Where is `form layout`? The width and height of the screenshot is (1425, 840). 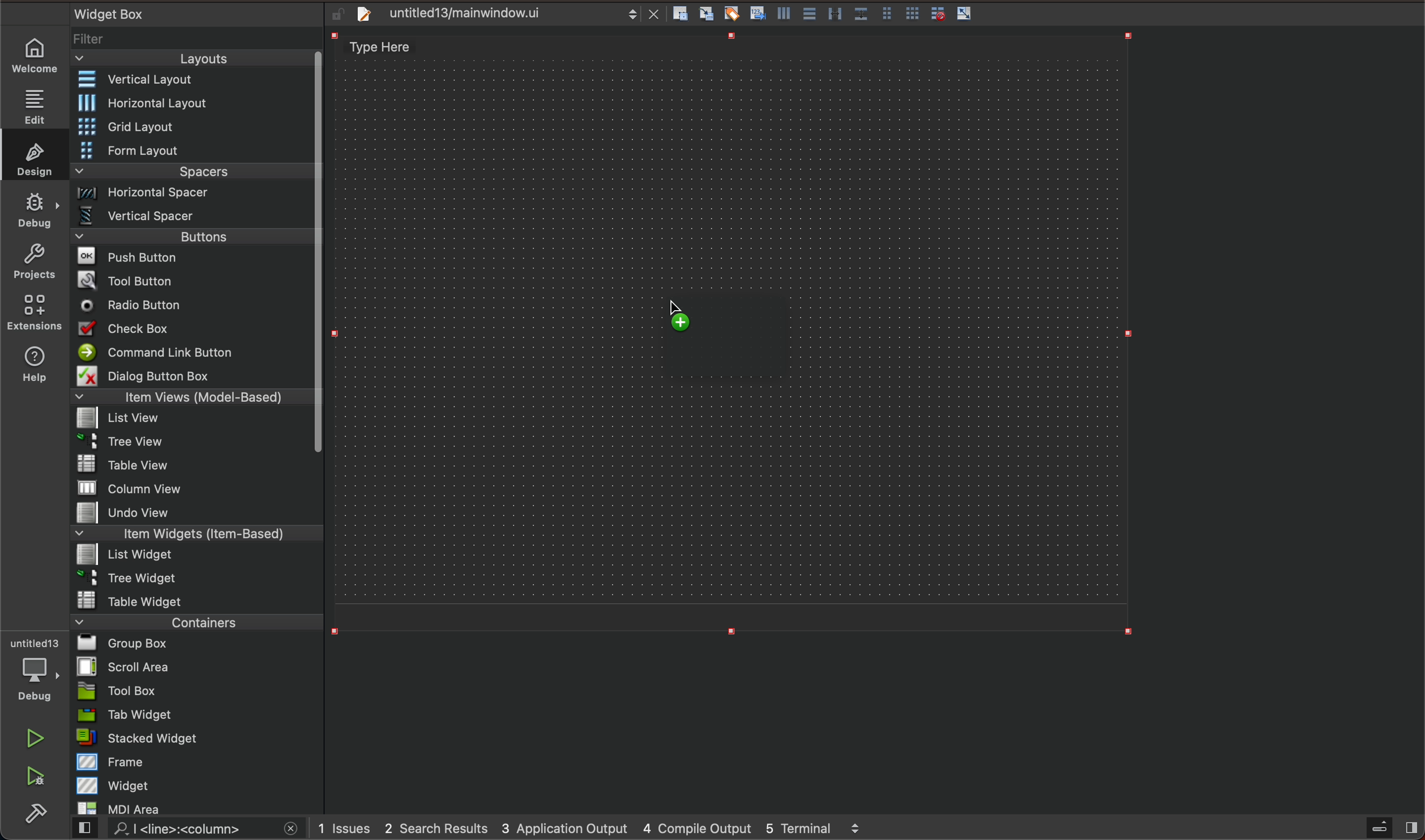 form layout is located at coordinates (888, 11).